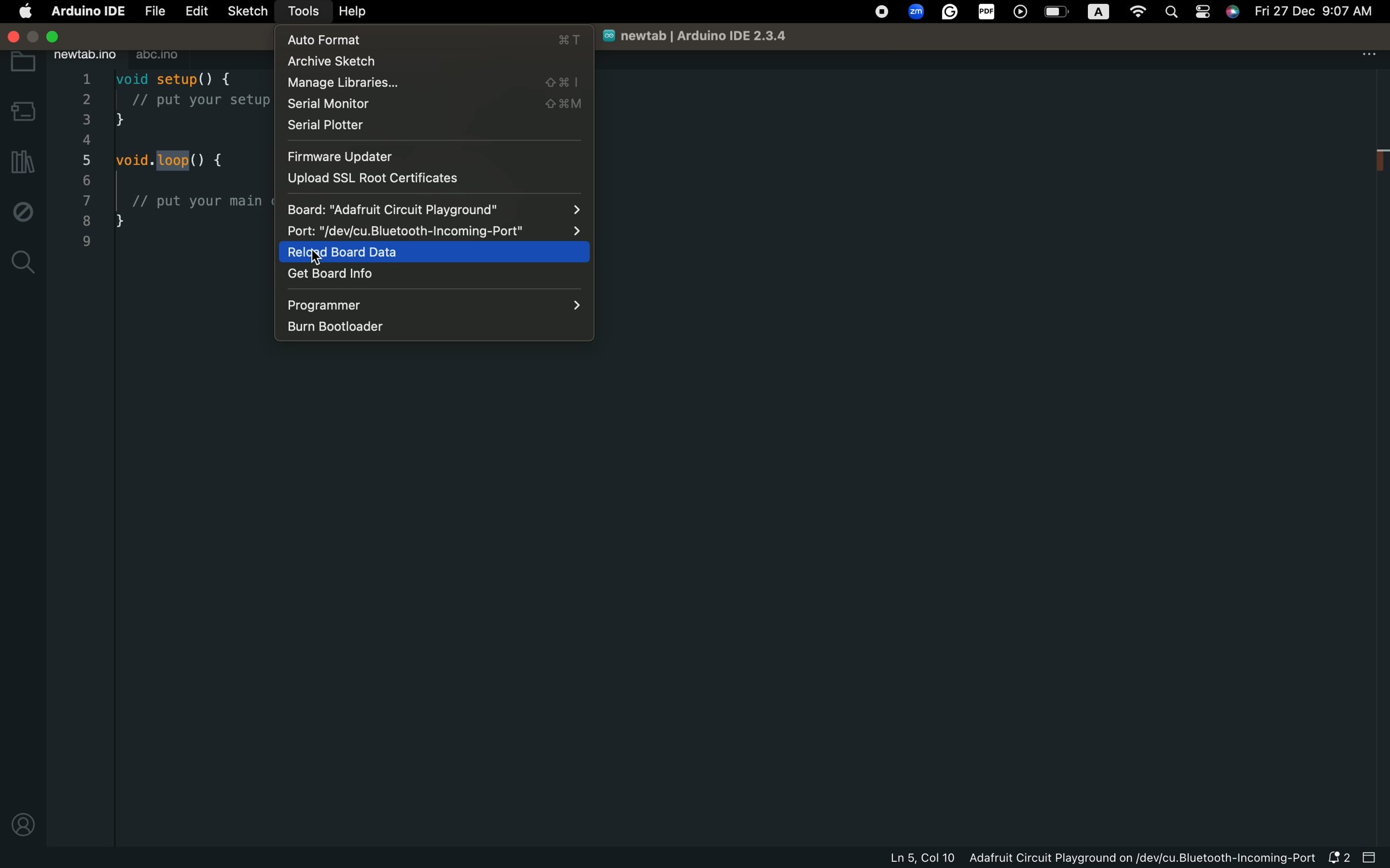 The image size is (1390, 868). I want to click on minimize, so click(34, 37).